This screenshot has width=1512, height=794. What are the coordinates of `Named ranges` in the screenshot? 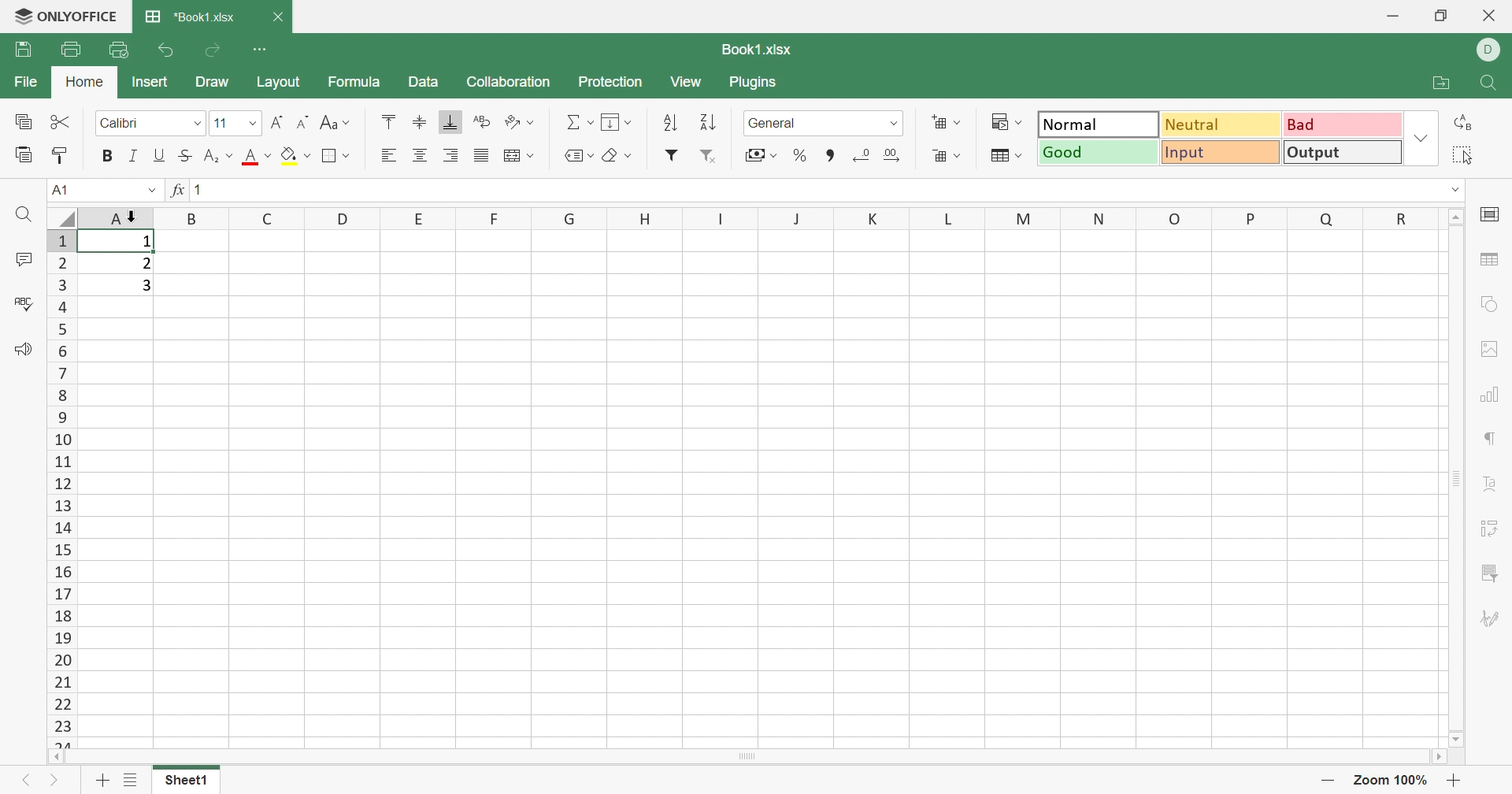 It's located at (576, 155).